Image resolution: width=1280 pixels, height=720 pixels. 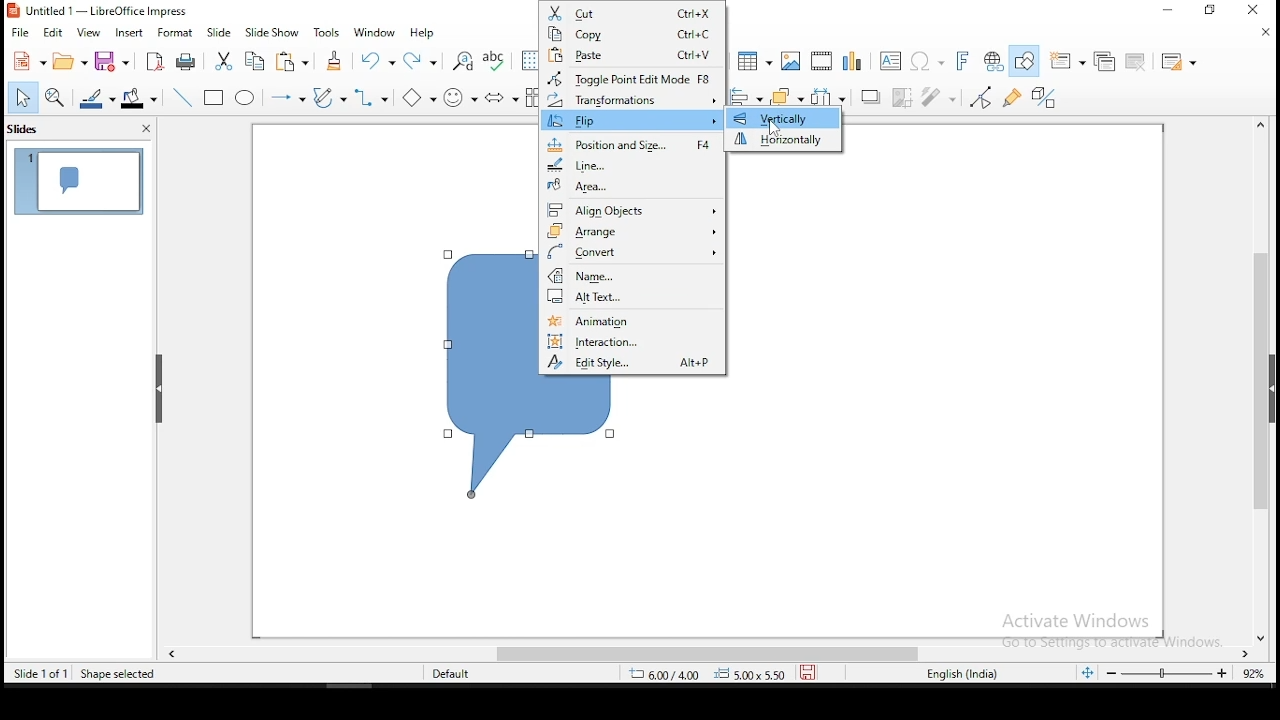 What do you see at coordinates (744, 95) in the screenshot?
I see `align objects` at bounding box center [744, 95].